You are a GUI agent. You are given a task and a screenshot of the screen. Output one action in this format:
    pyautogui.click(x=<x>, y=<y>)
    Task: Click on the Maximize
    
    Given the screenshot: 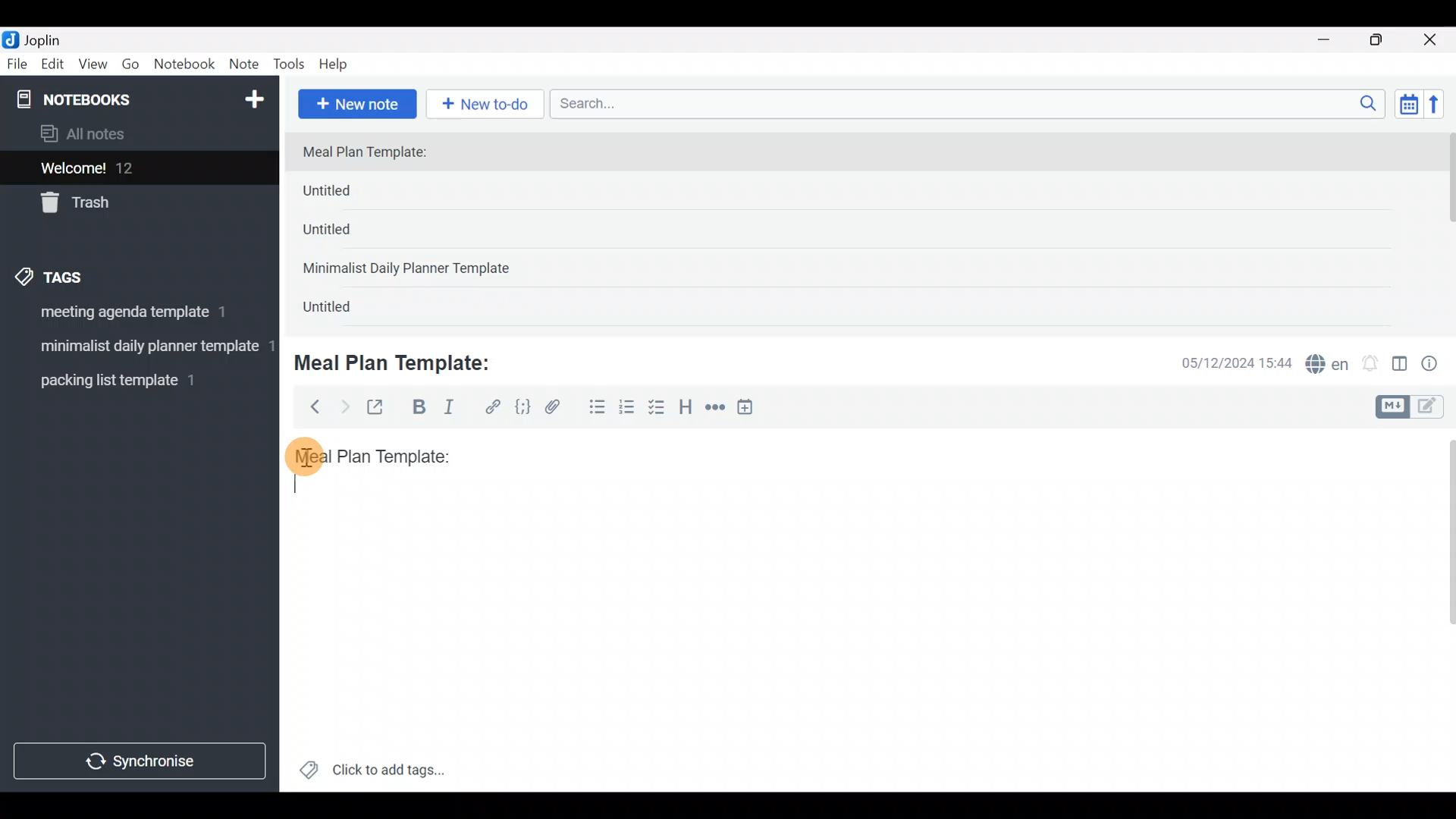 What is the action you would take?
    pyautogui.click(x=1385, y=40)
    